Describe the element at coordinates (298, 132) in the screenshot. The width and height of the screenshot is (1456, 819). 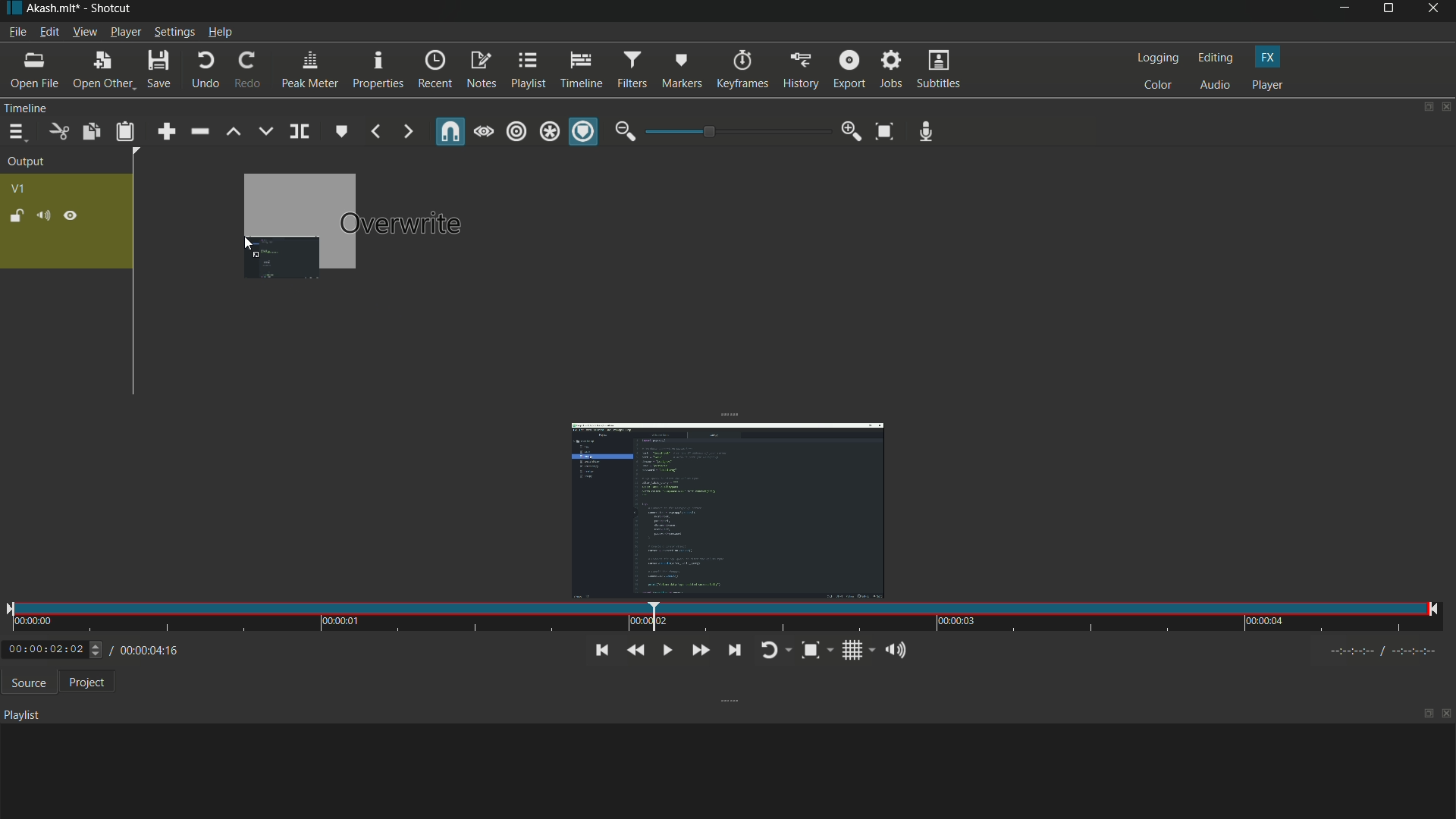
I see `split as playhead` at that location.